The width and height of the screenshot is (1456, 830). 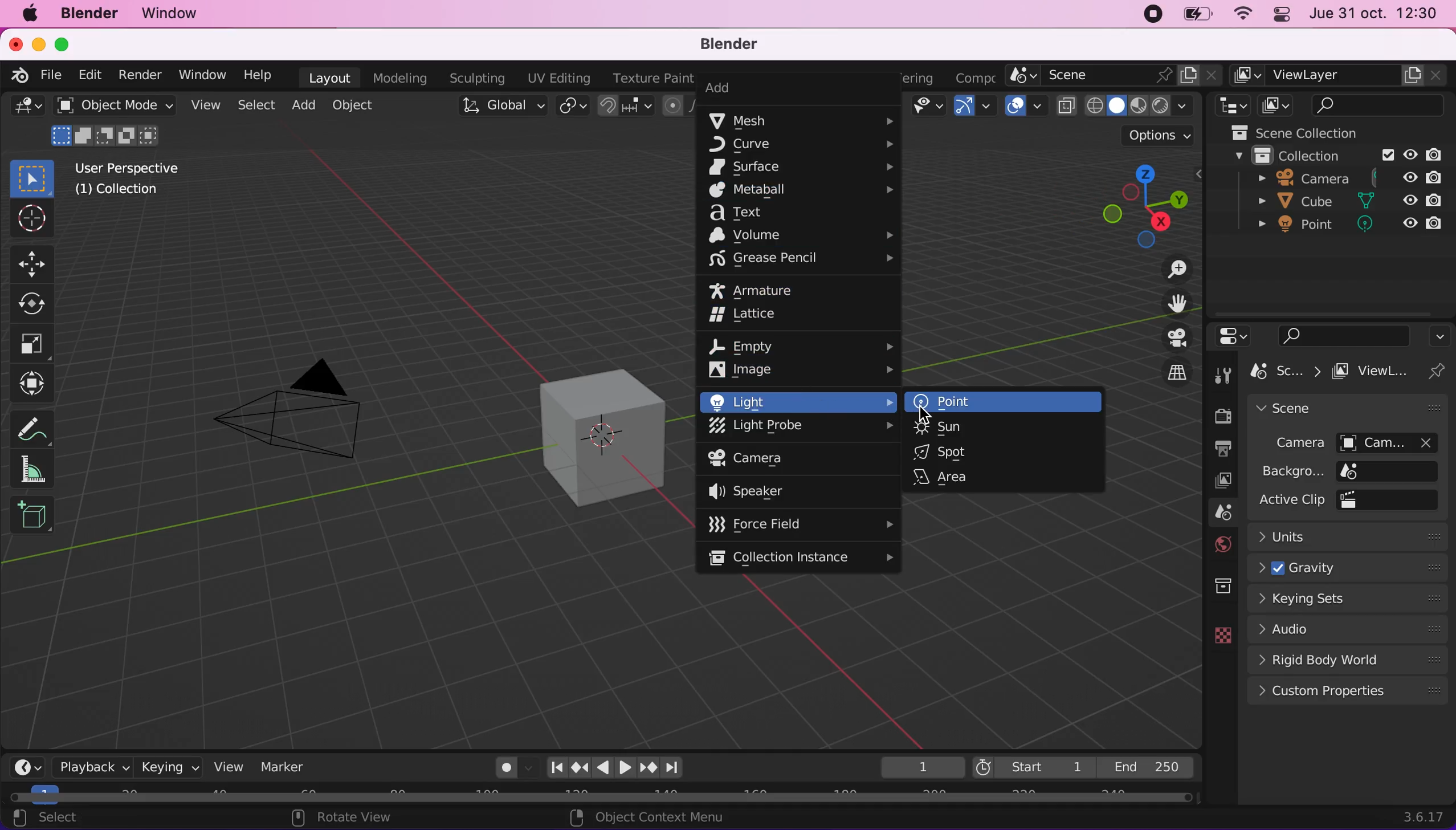 What do you see at coordinates (774, 492) in the screenshot?
I see `speaker` at bounding box center [774, 492].